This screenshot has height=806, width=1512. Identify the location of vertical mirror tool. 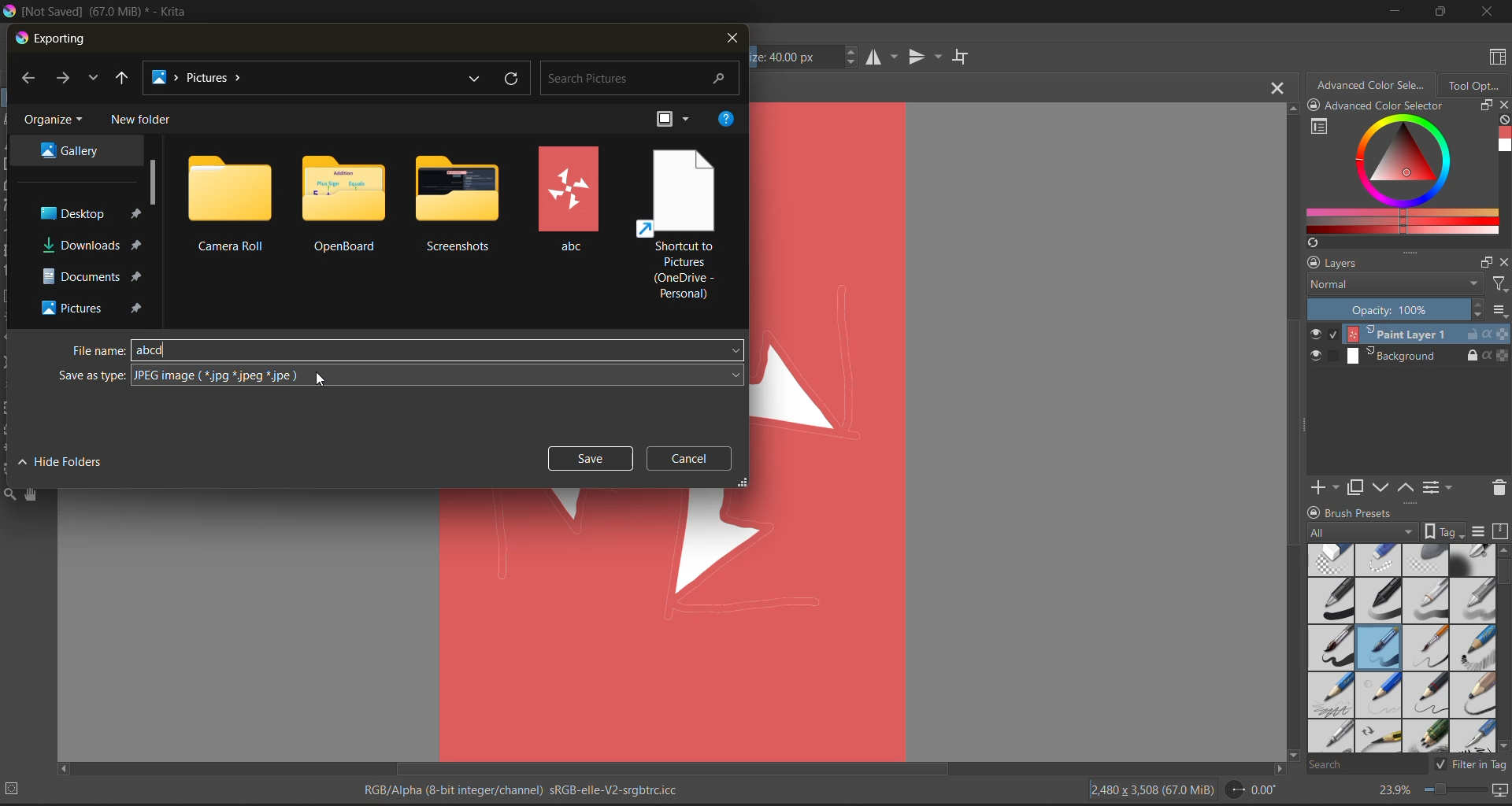
(926, 57).